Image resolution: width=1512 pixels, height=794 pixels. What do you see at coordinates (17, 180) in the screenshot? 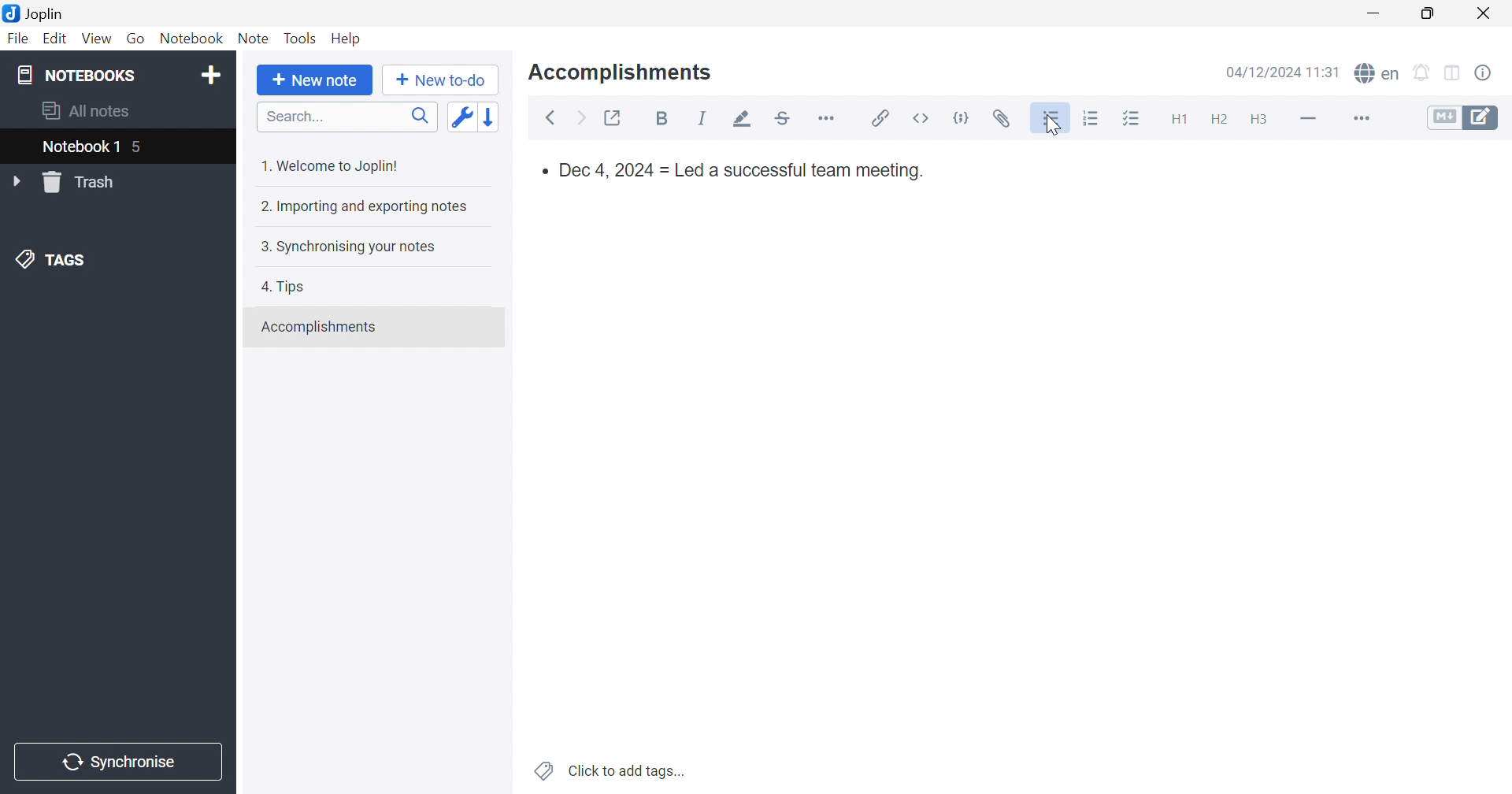
I see `Drop Down` at bounding box center [17, 180].